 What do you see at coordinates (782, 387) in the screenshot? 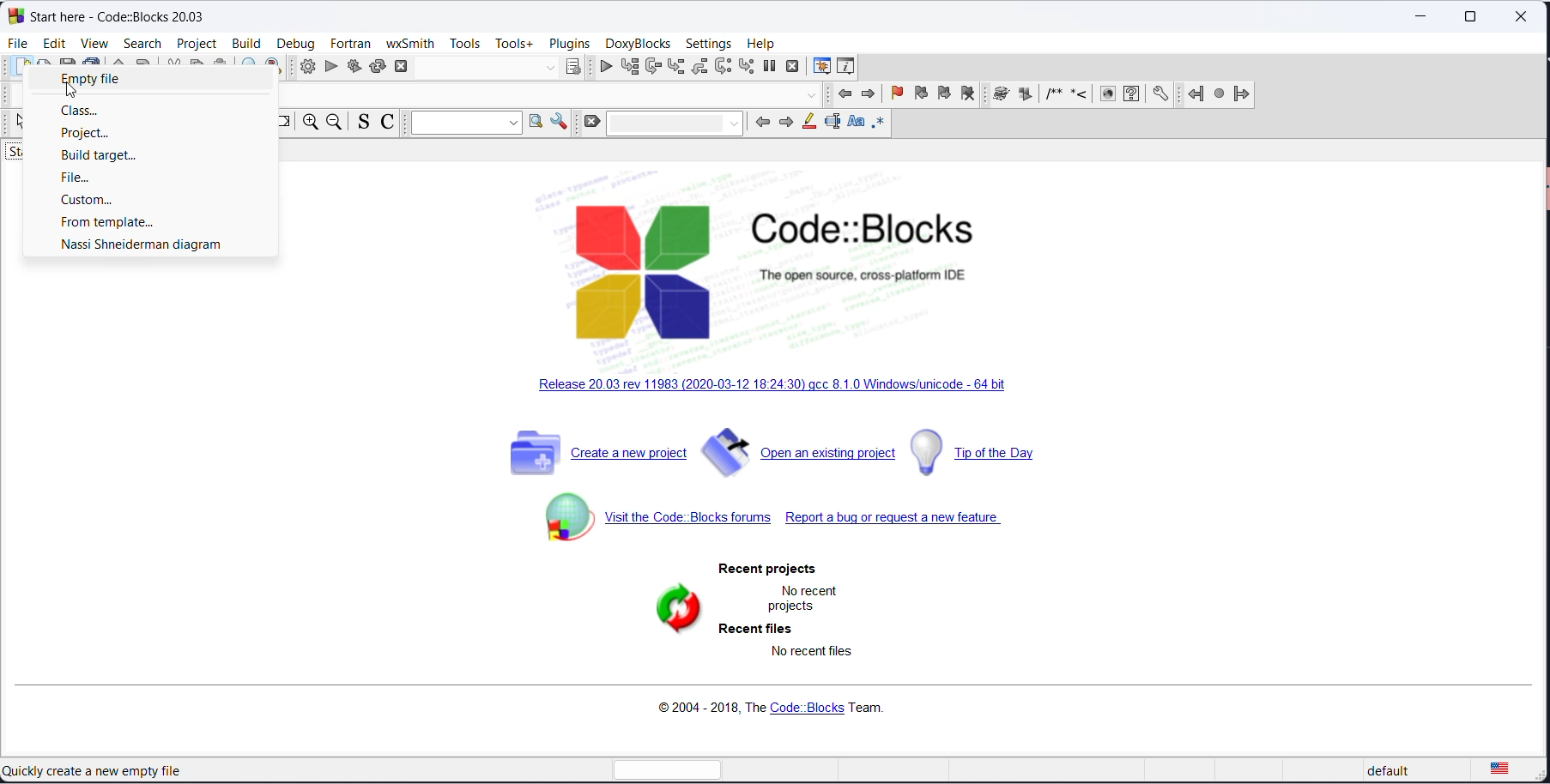
I see `Release 20.03 rev 11983 (2020-03-12 18:24:30) gcc 8.1.0 Windows/unicode - 64 bit` at bounding box center [782, 387].